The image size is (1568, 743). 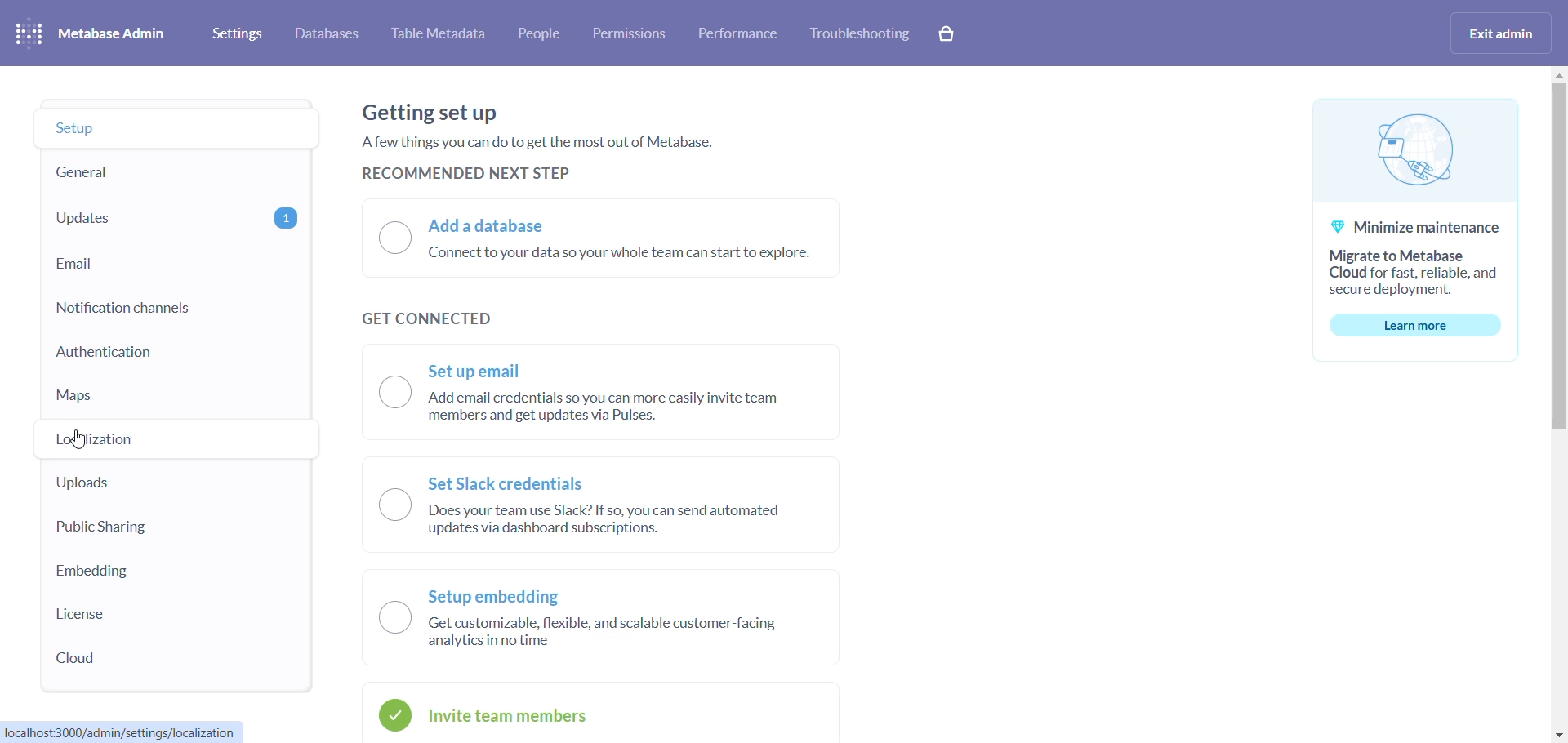 What do you see at coordinates (166, 572) in the screenshot?
I see `embedding` at bounding box center [166, 572].